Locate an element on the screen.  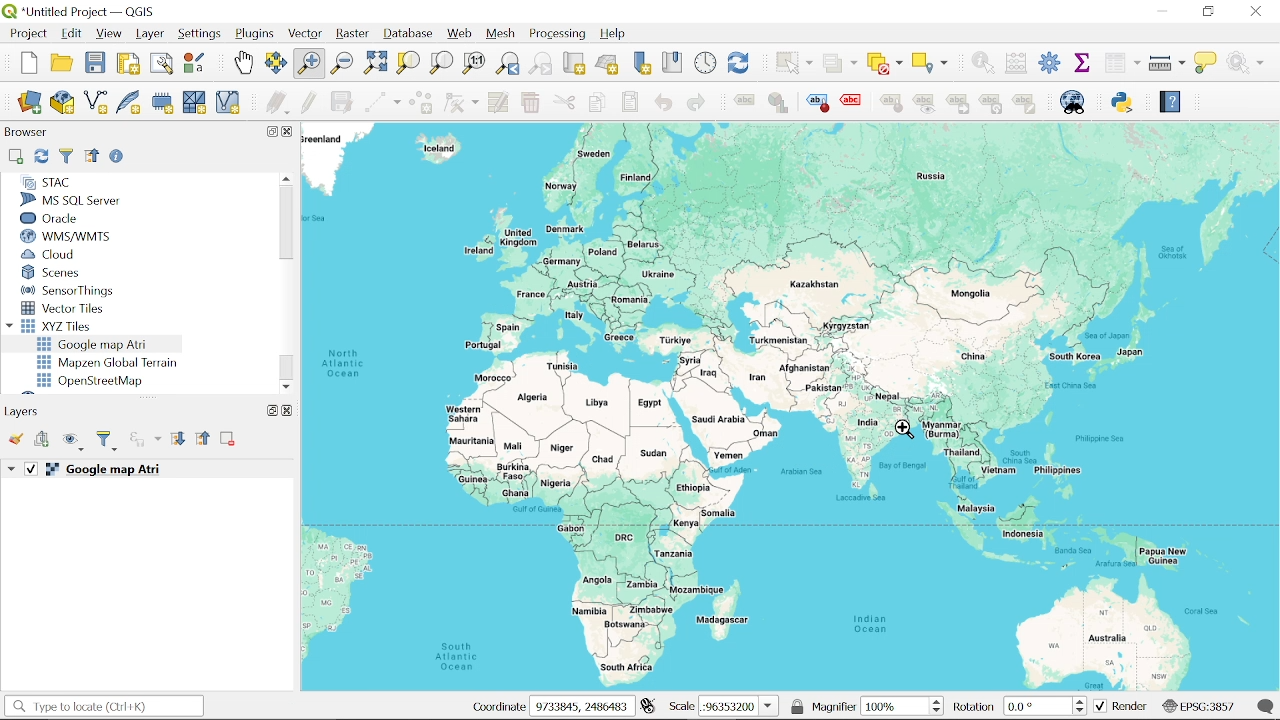
Temporal control panel is located at coordinates (706, 63).